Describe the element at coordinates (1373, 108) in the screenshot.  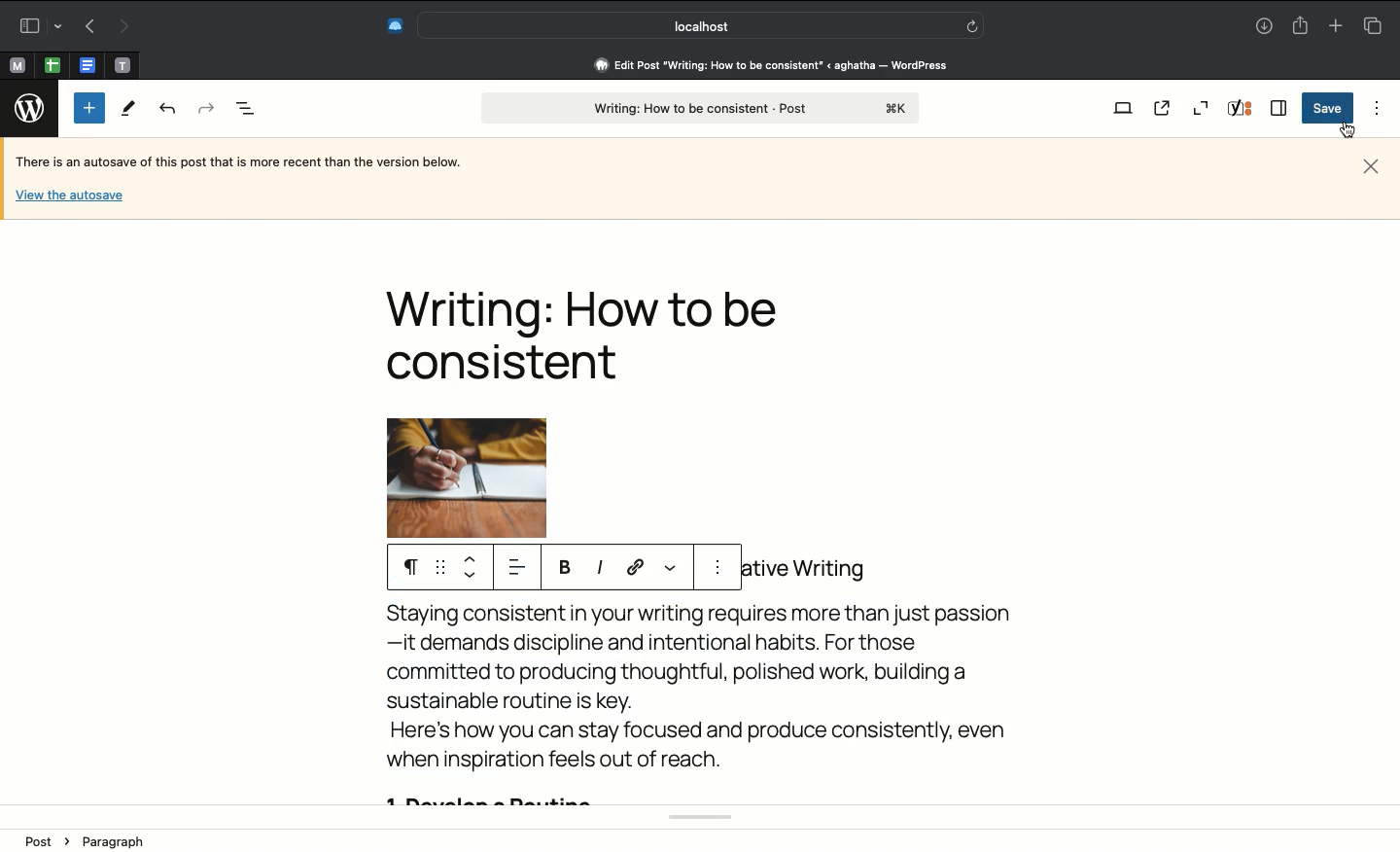
I see `Options` at that location.